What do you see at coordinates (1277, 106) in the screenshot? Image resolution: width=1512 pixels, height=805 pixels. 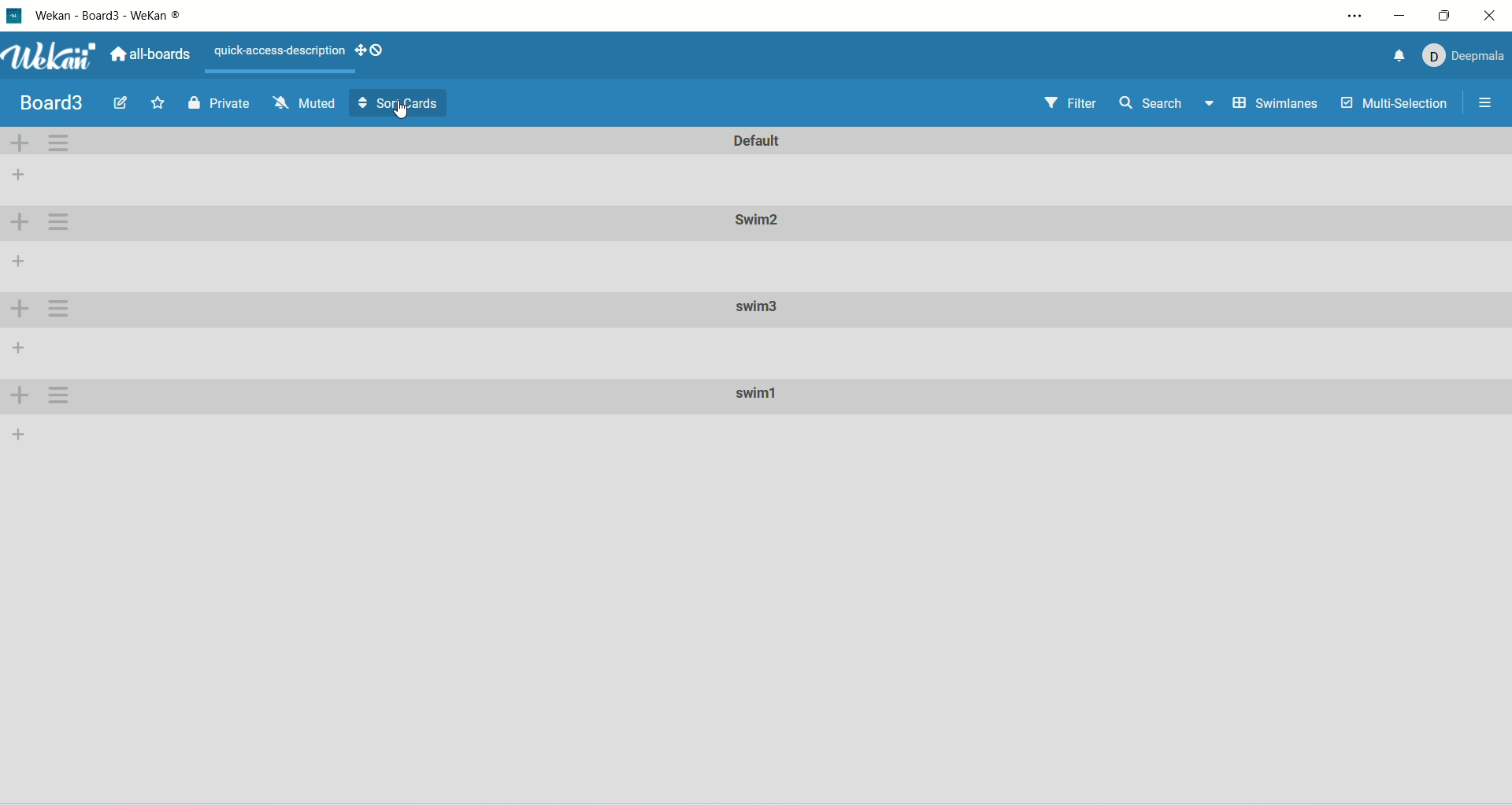 I see `swimlanes` at bounding box center [1277, 106].